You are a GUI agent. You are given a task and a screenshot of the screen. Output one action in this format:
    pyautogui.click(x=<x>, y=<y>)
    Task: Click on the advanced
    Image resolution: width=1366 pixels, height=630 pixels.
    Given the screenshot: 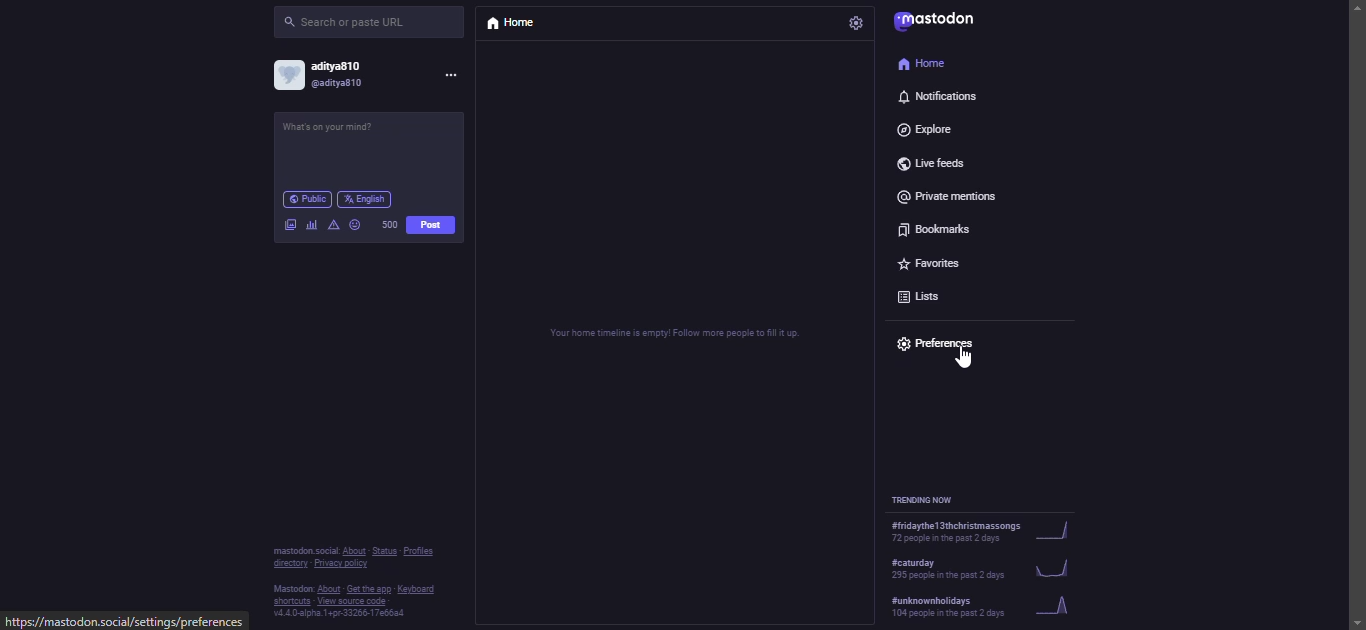 What is the action you would take?
    pyautogui.click(x=335, y=225)
    